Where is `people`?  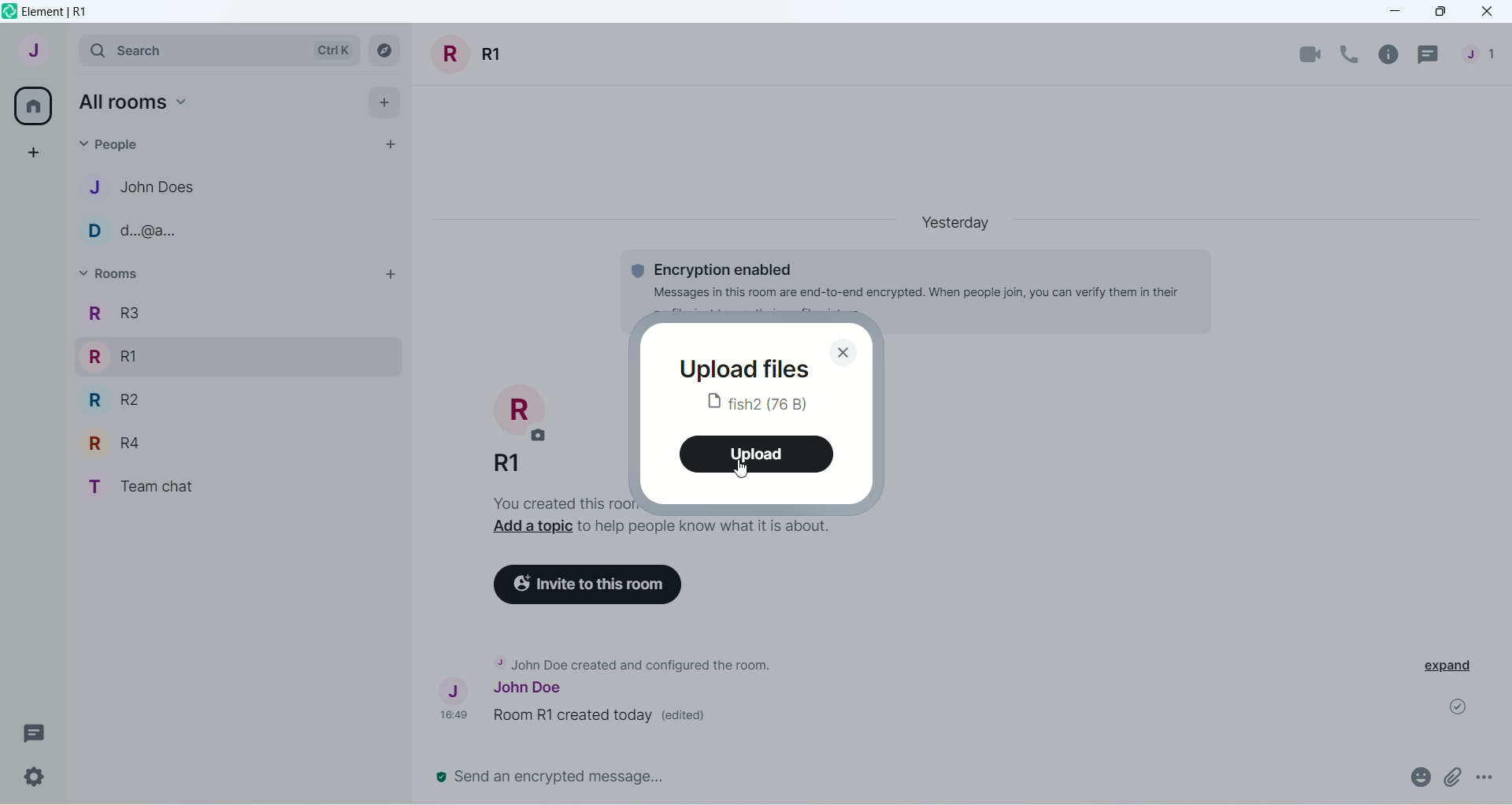 people is located at coordinates (1484, 61).